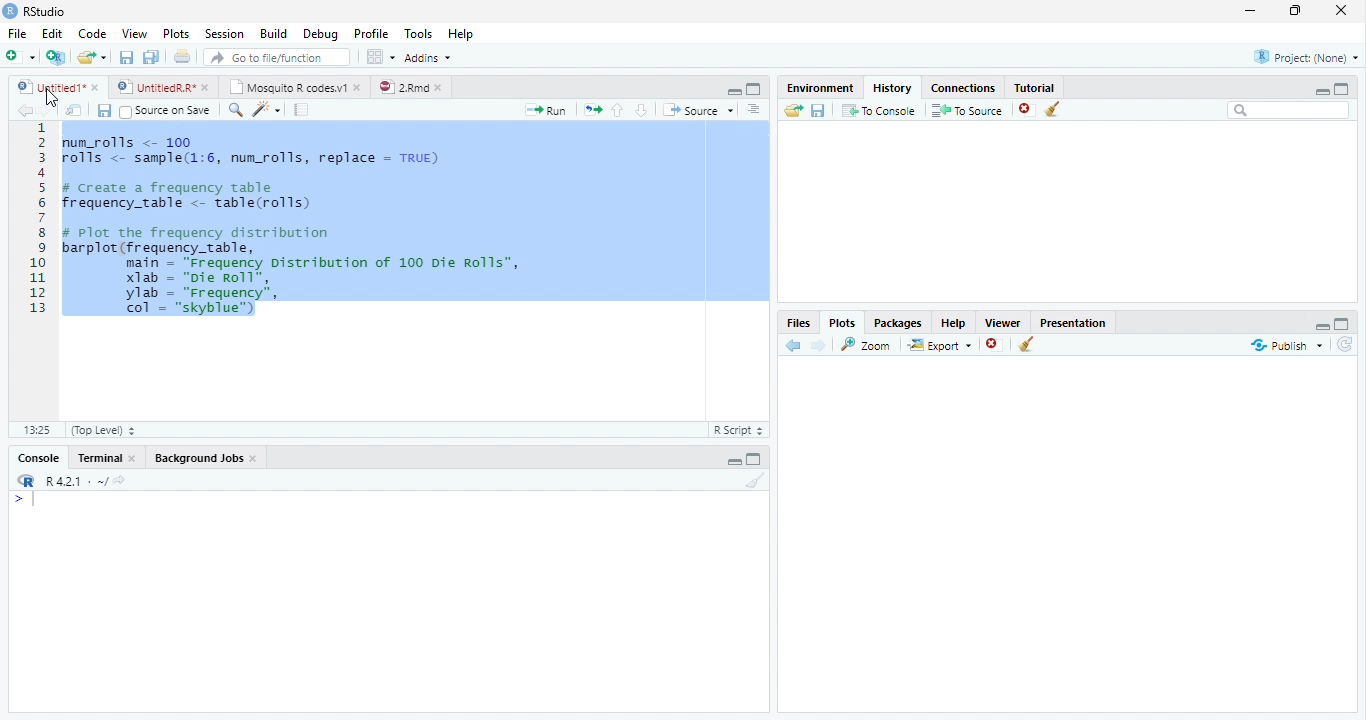  Describe the element at coordinates (76, 110) in the screenshot. I see `Show in new window` at that location.